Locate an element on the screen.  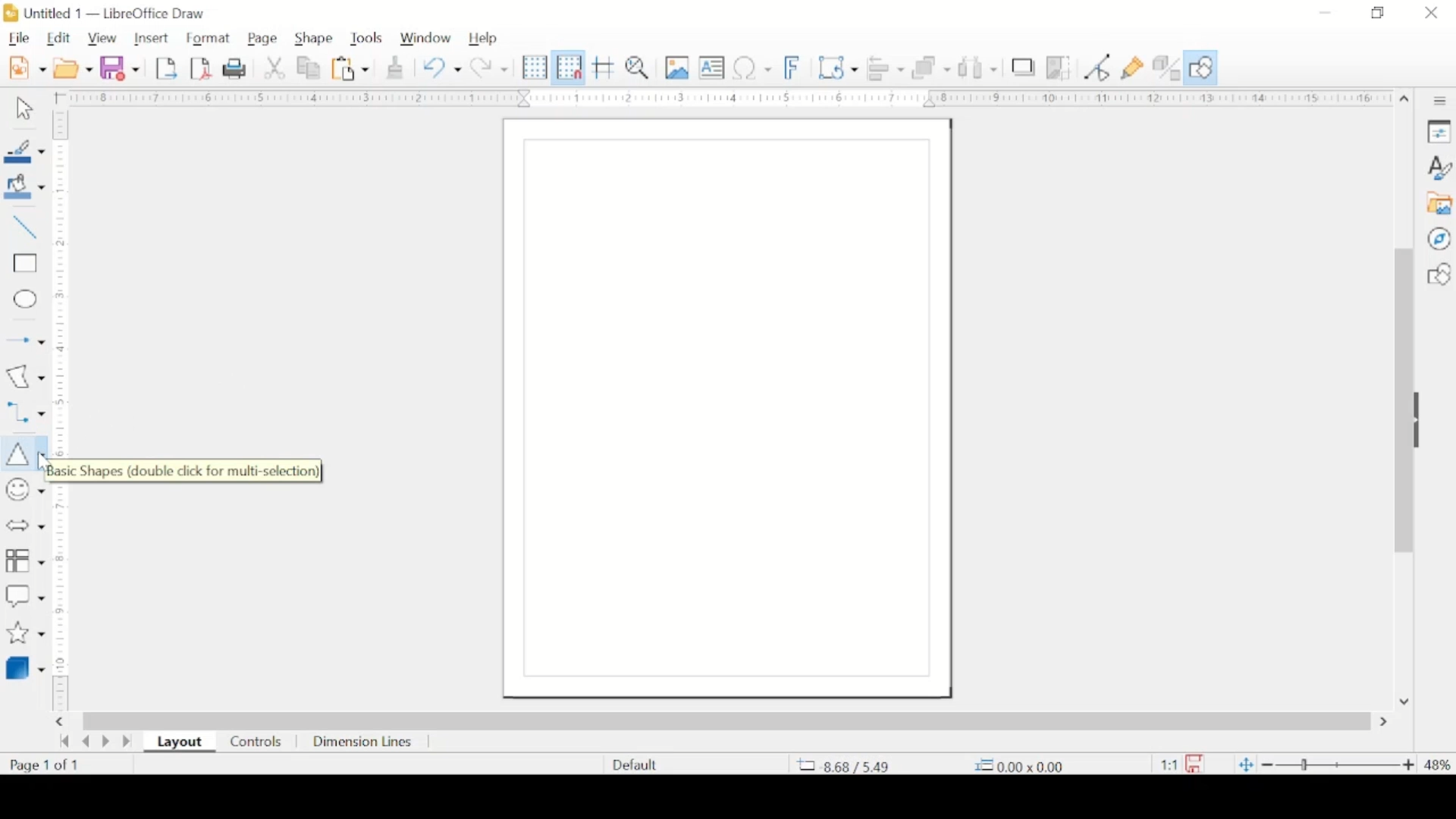
insert curves and polygons is located at coordinates (25, 376).